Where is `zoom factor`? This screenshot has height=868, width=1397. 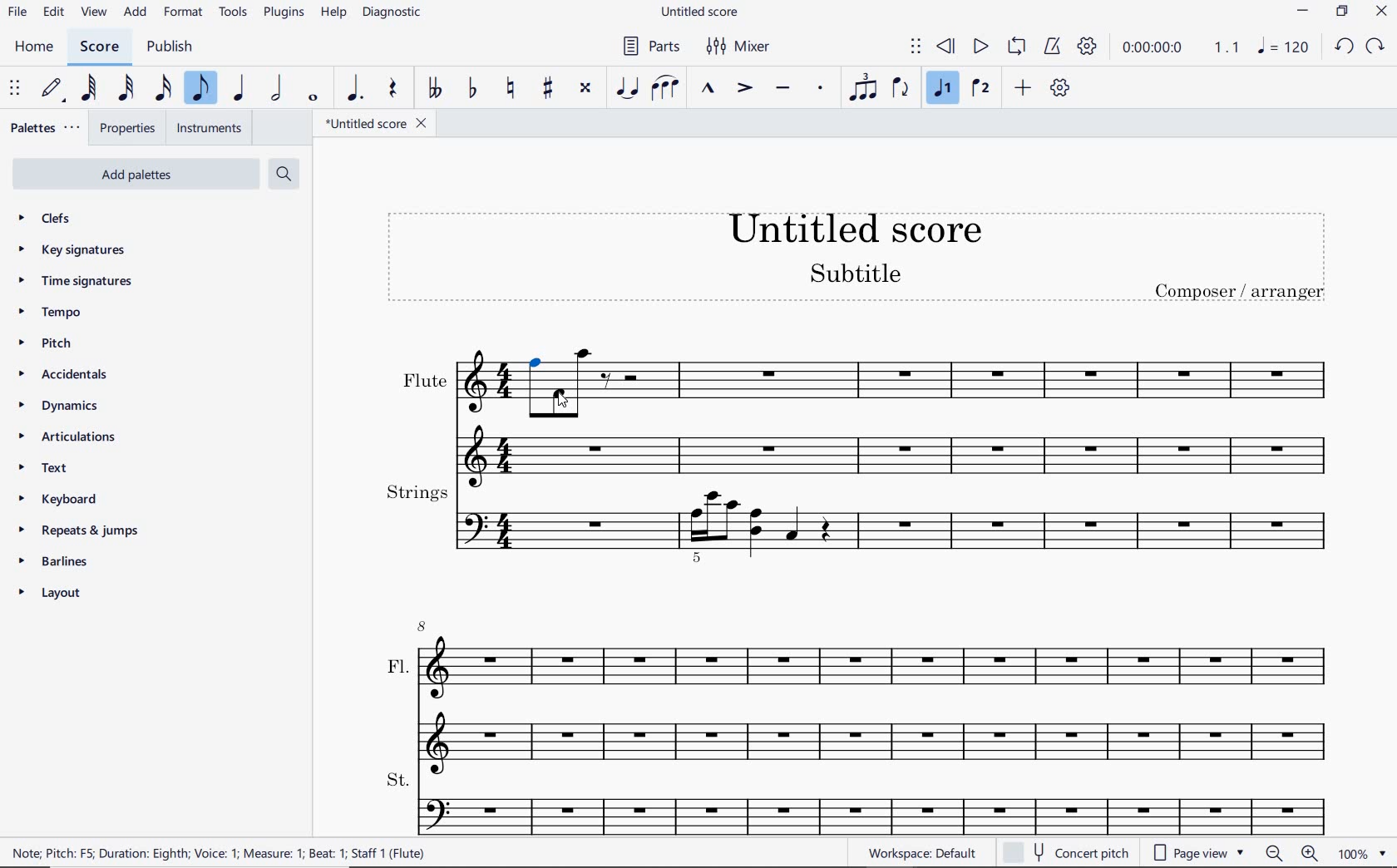 zoom factor is located at coordinates (1364, 853).